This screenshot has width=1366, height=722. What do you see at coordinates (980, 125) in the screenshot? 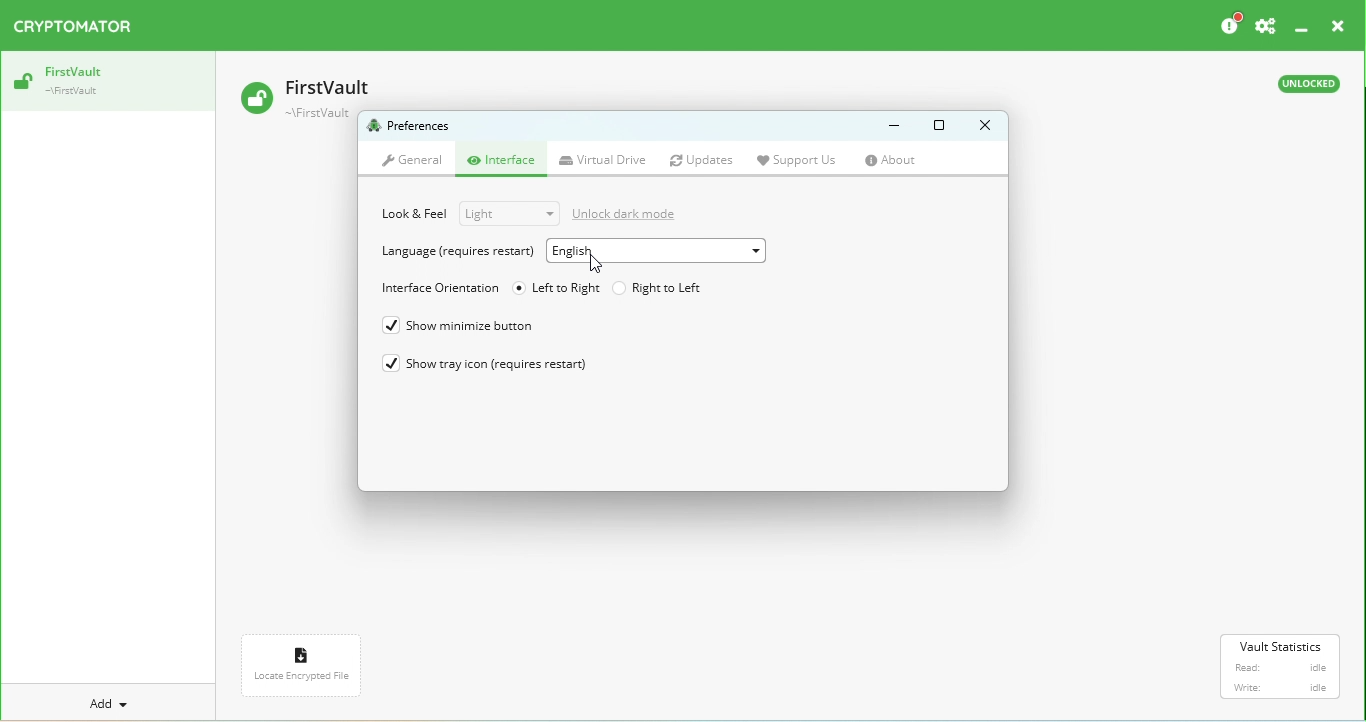
I see `Close` at bounding box center [980, 125].